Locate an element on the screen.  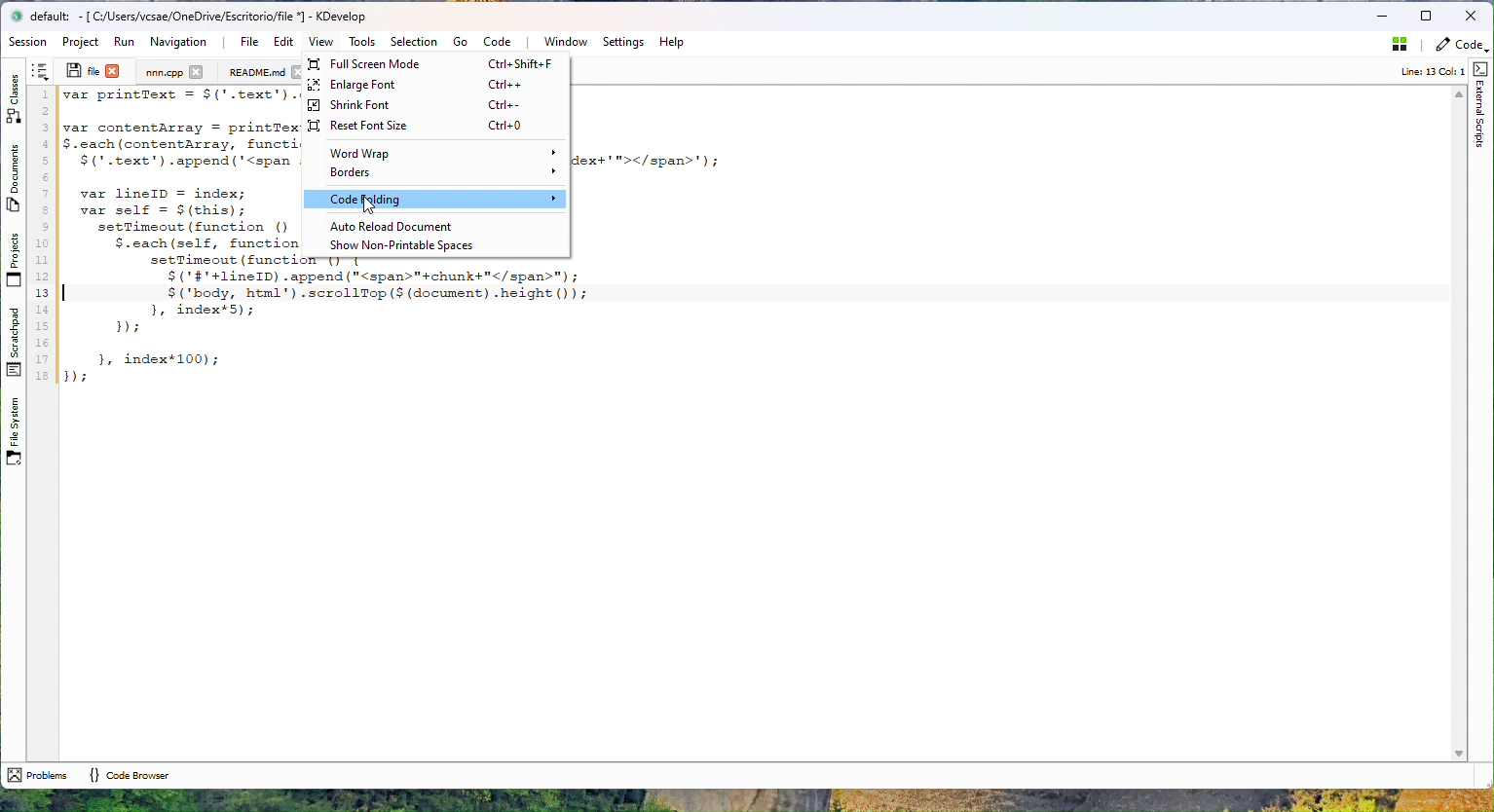
problems is located at coordinates (37, 775).